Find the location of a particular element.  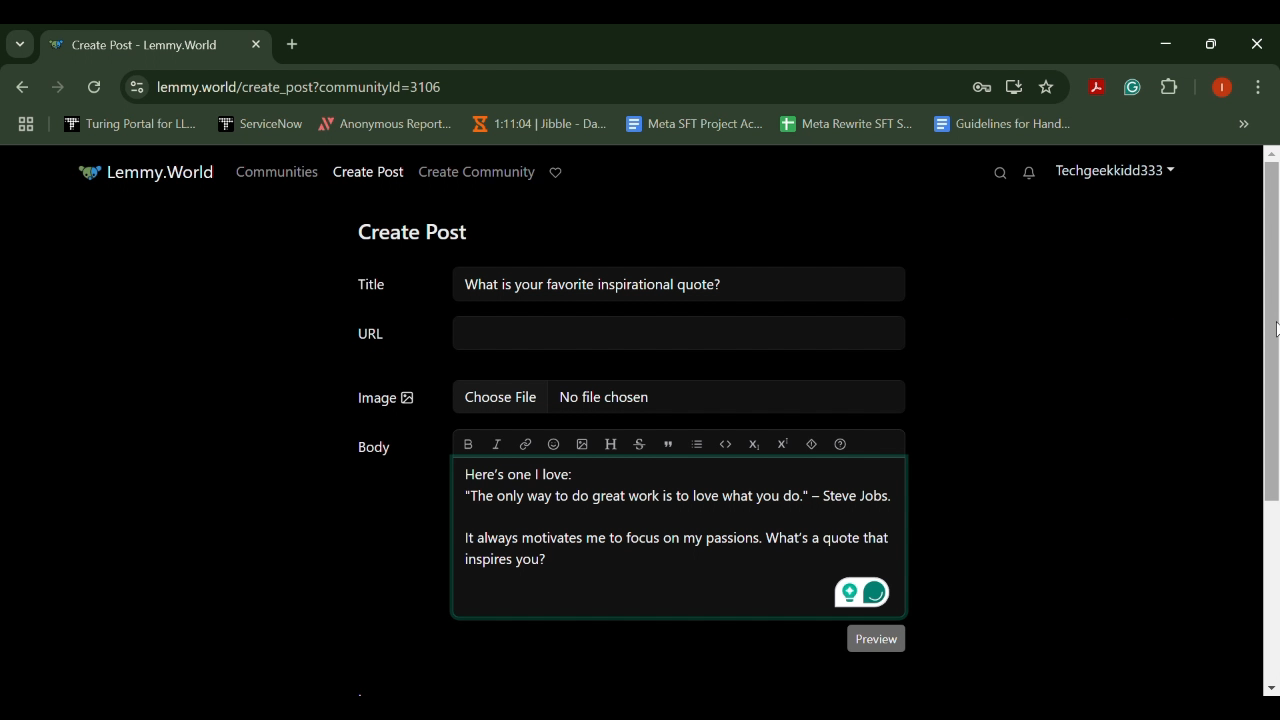

Body is located at coordinates (377, 448).